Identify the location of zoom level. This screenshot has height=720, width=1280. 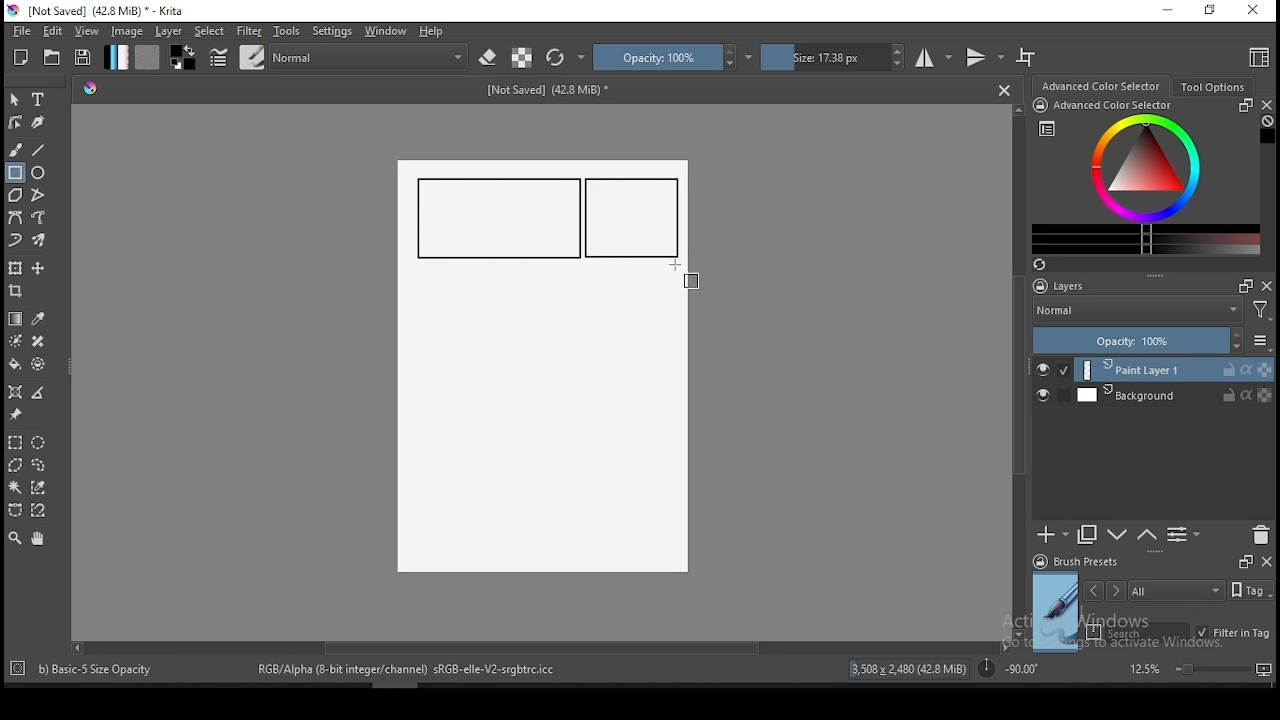
(1200, 668).